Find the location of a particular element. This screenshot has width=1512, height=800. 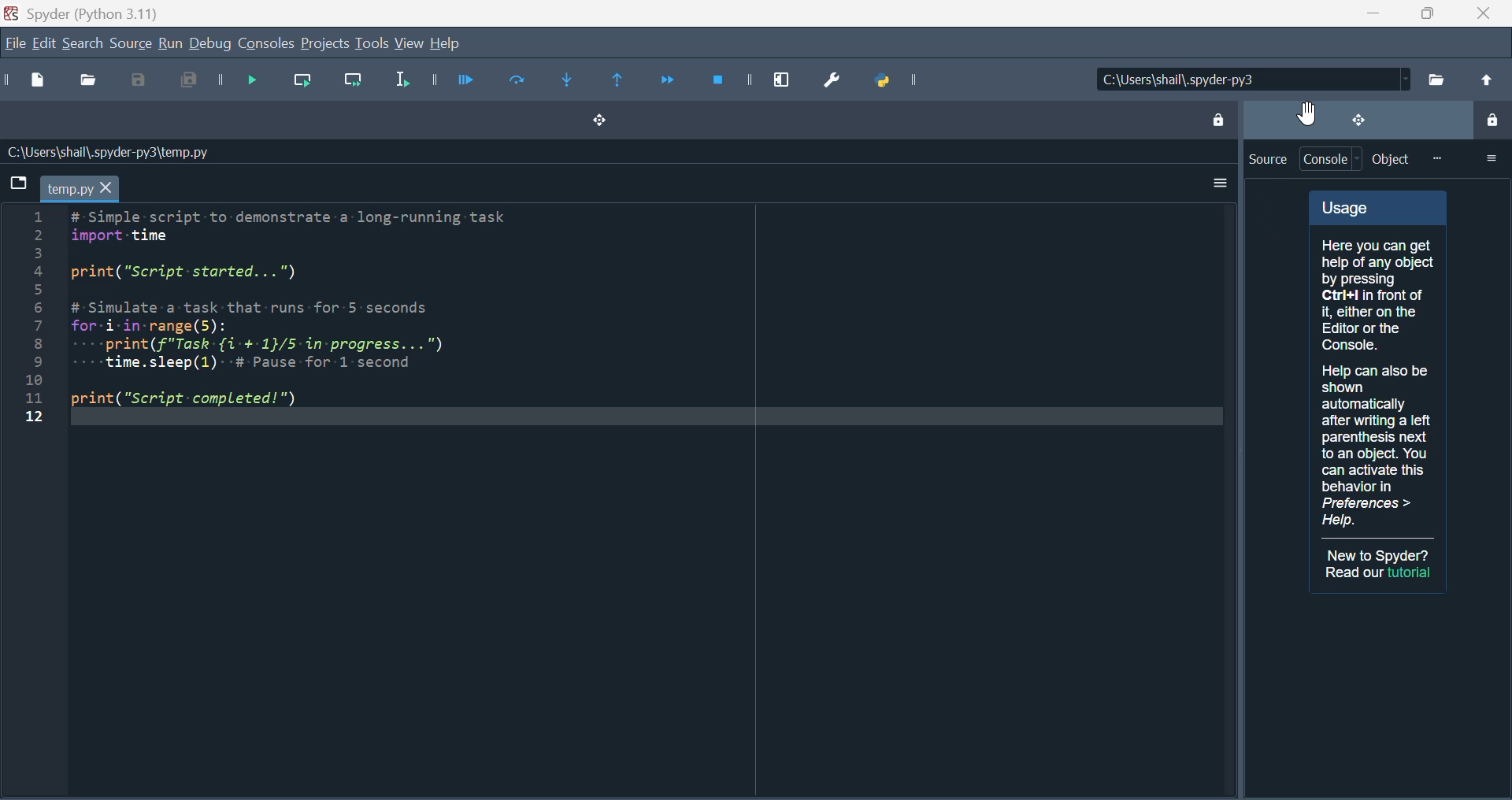

tutorial is located at coordinates (1411, 572).